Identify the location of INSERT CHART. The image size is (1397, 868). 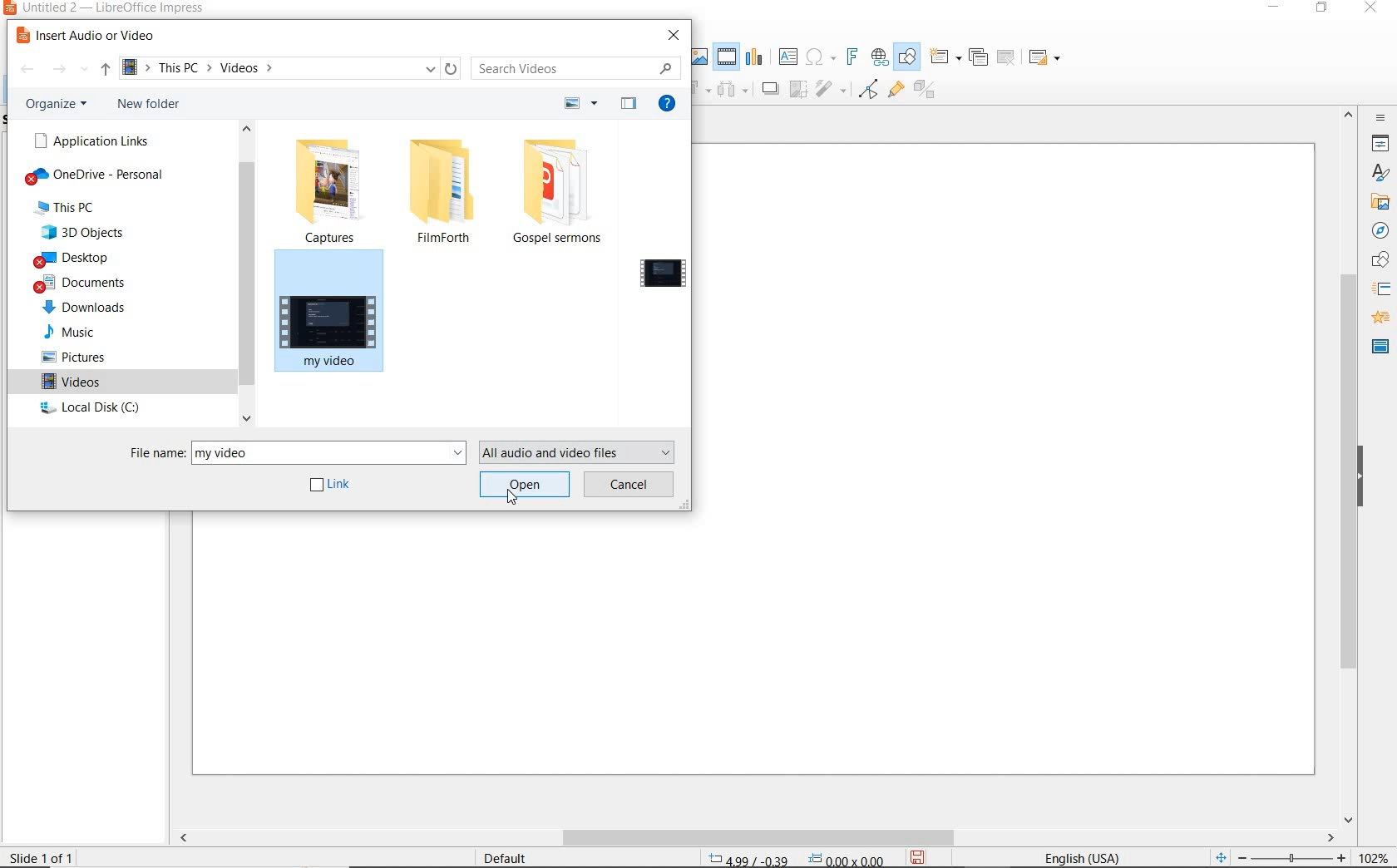
(756, 57).